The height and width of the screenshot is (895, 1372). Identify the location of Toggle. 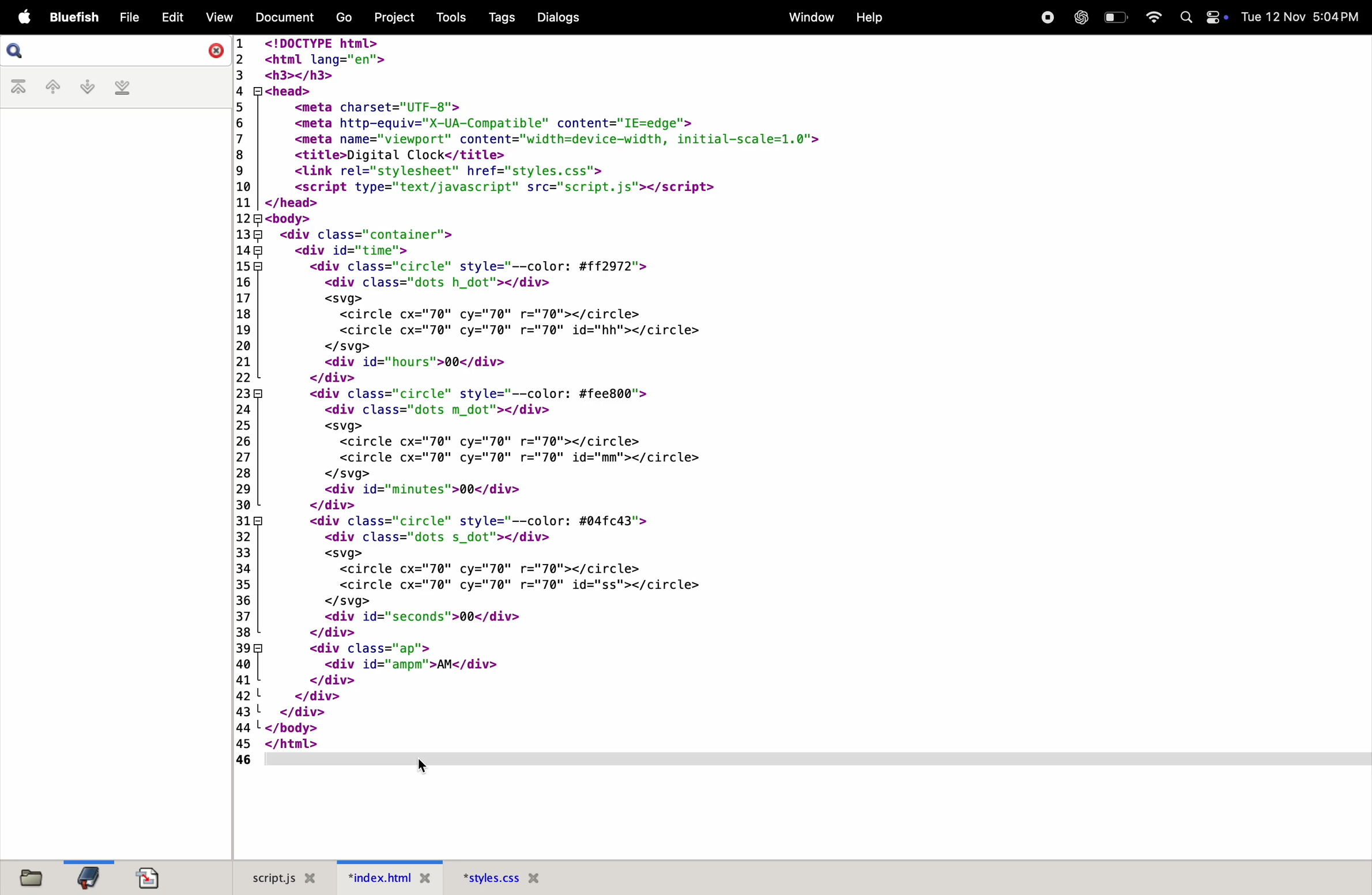
(1215, 16).